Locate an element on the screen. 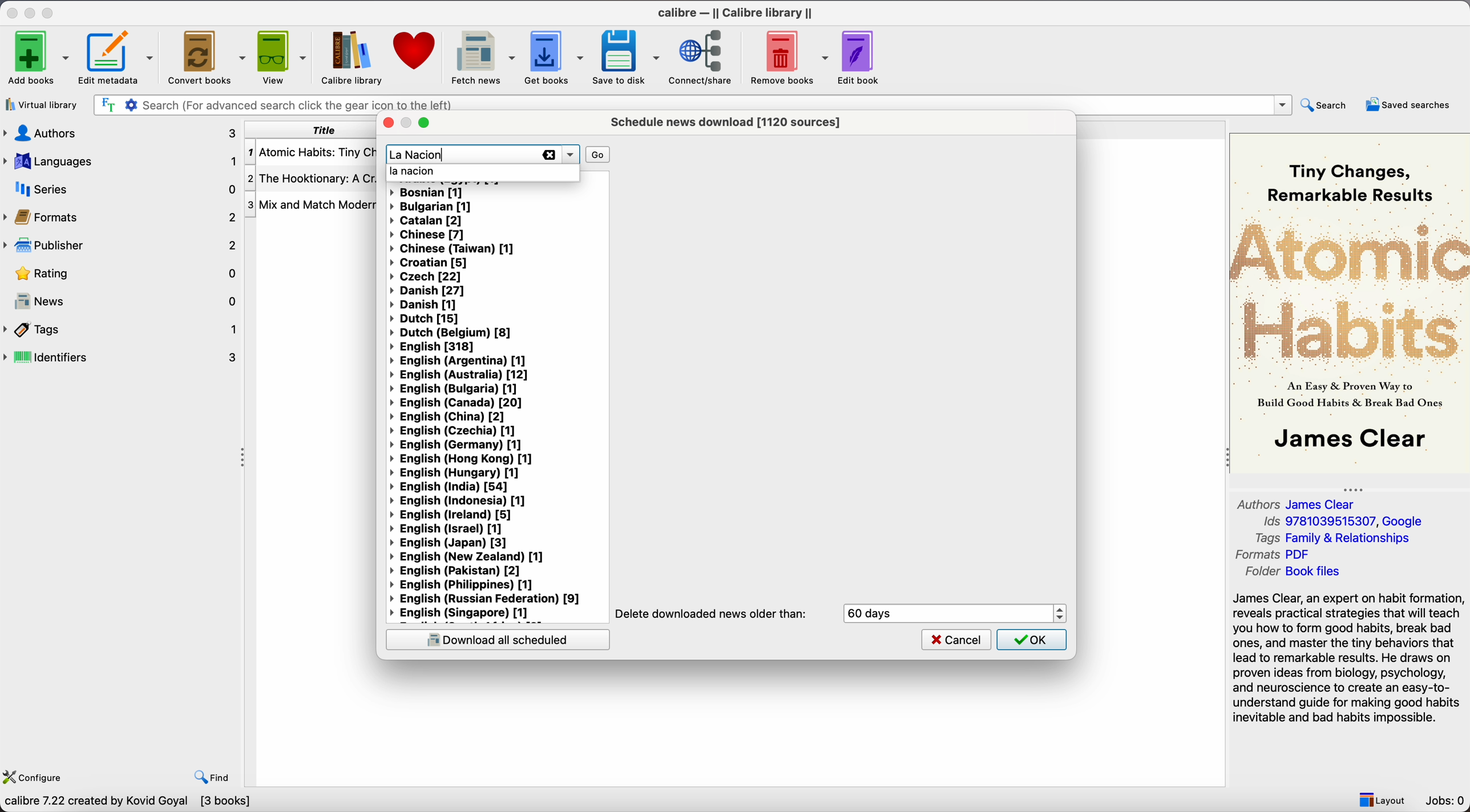 The image size is (1470, 812). series is located at coordinates (122, 188).